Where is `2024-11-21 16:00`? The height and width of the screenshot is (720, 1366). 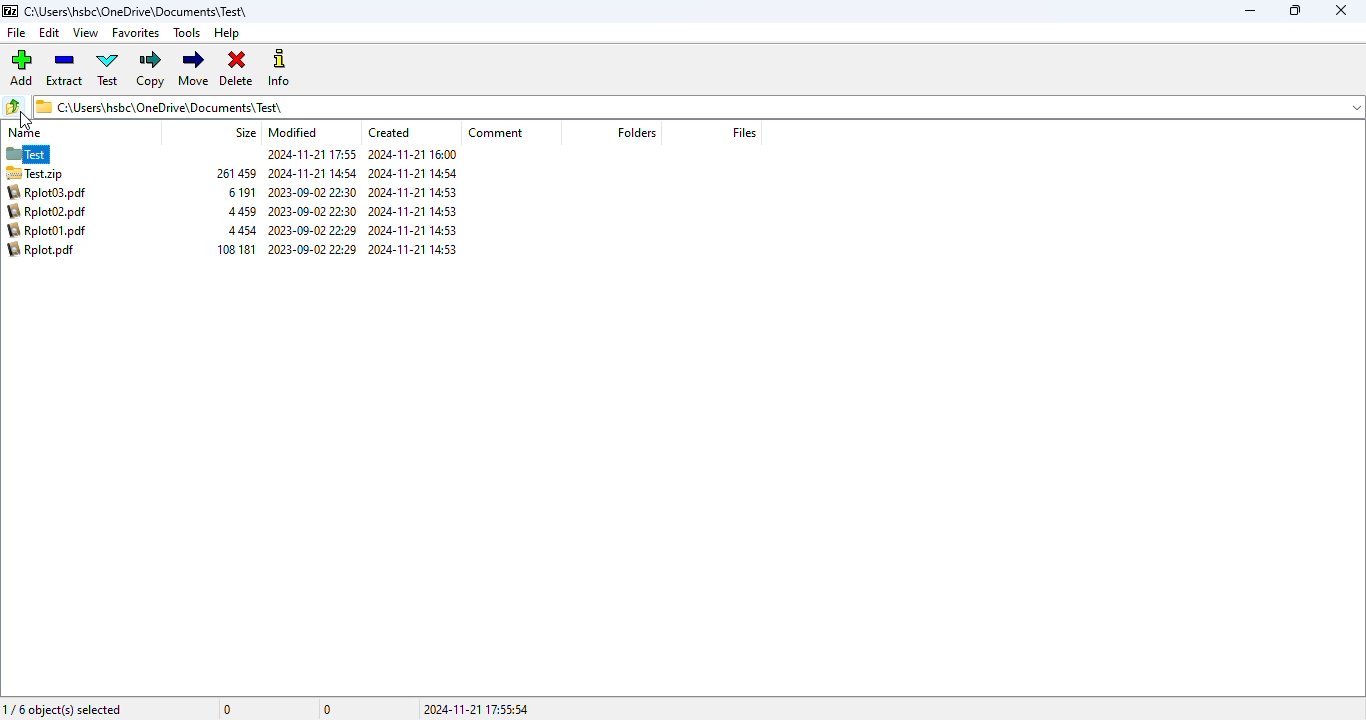 2024-11-21 16:00 is located at coordinates (412, 154).